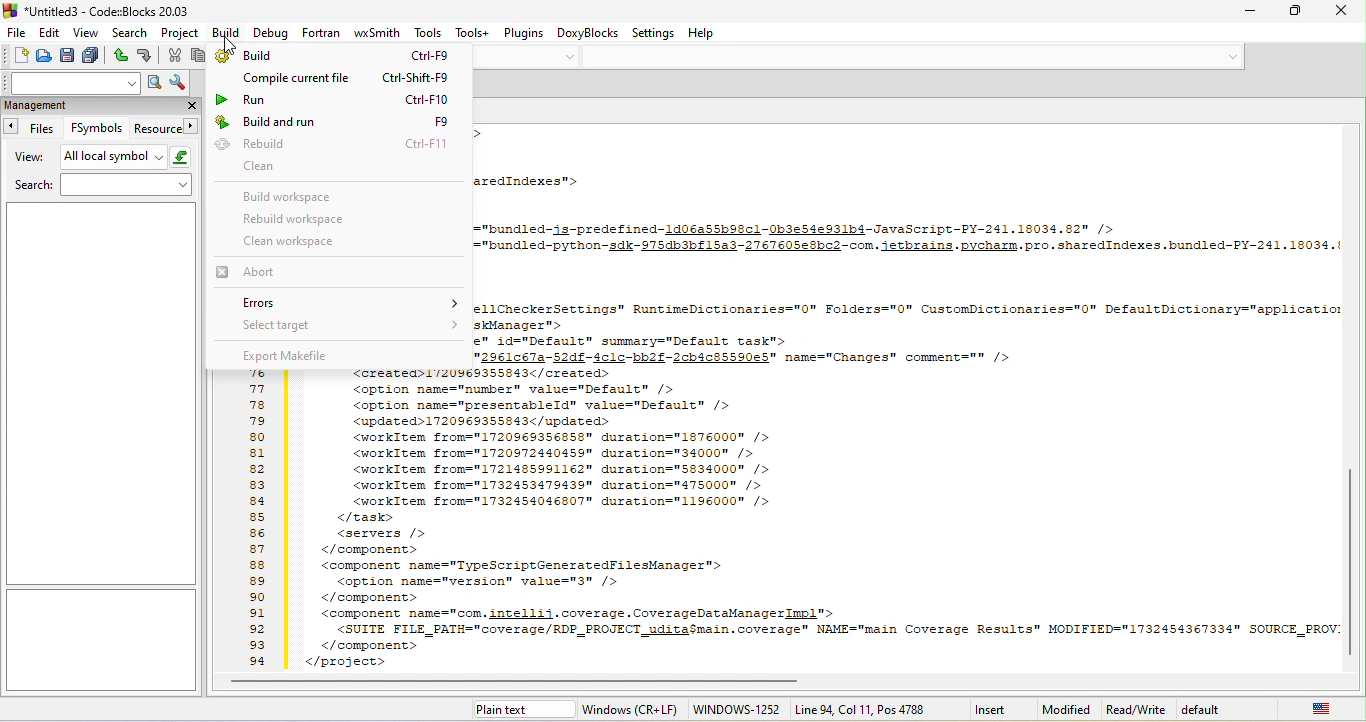 Image resolution: width=1366 pixels, height=722 pixels. Describe the element at coordinates (270, 33) in the screenshot. I see `debug` at that location.